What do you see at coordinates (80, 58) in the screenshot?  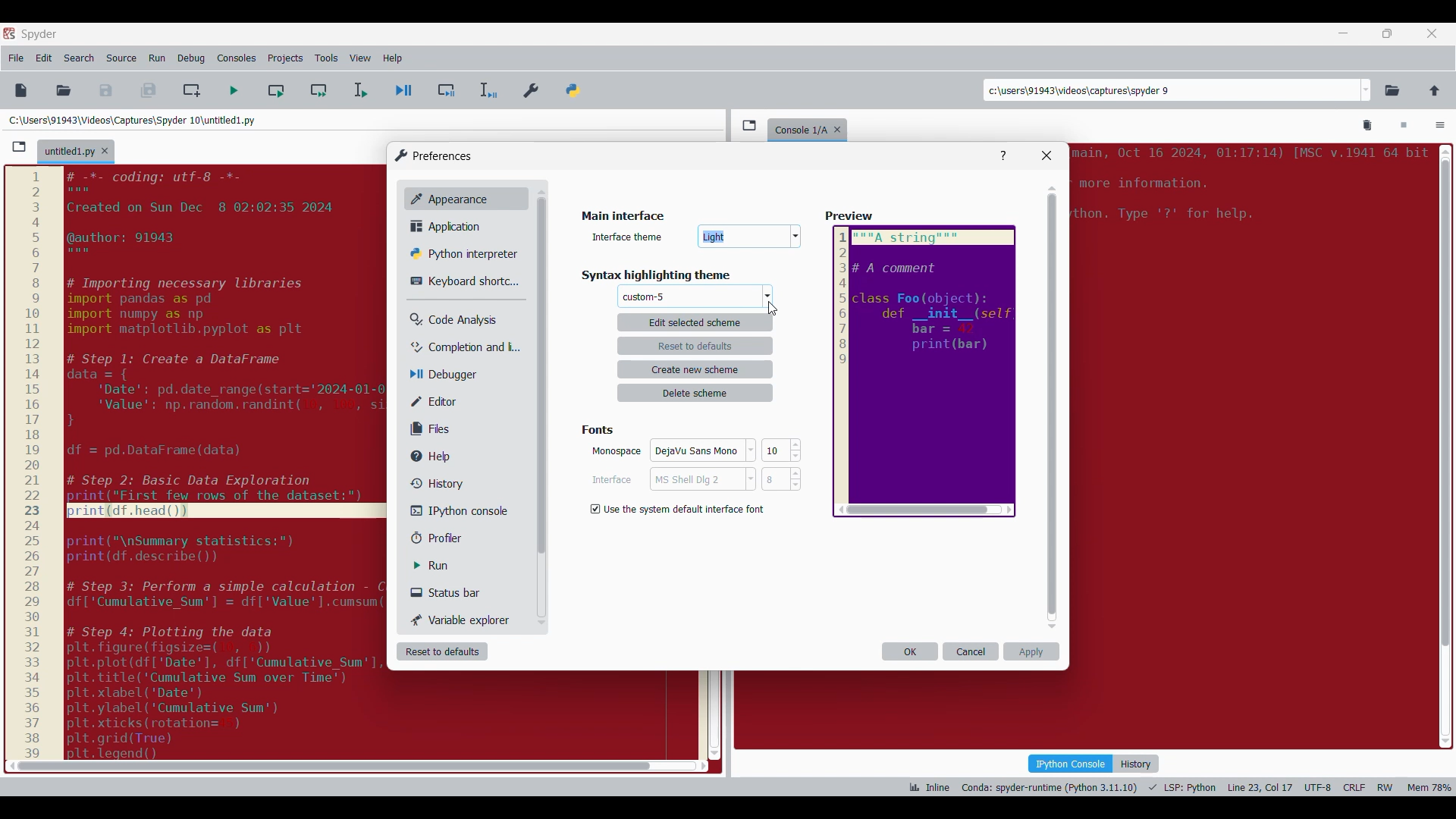 I see `Search menu` at bounding box center [80, 58].